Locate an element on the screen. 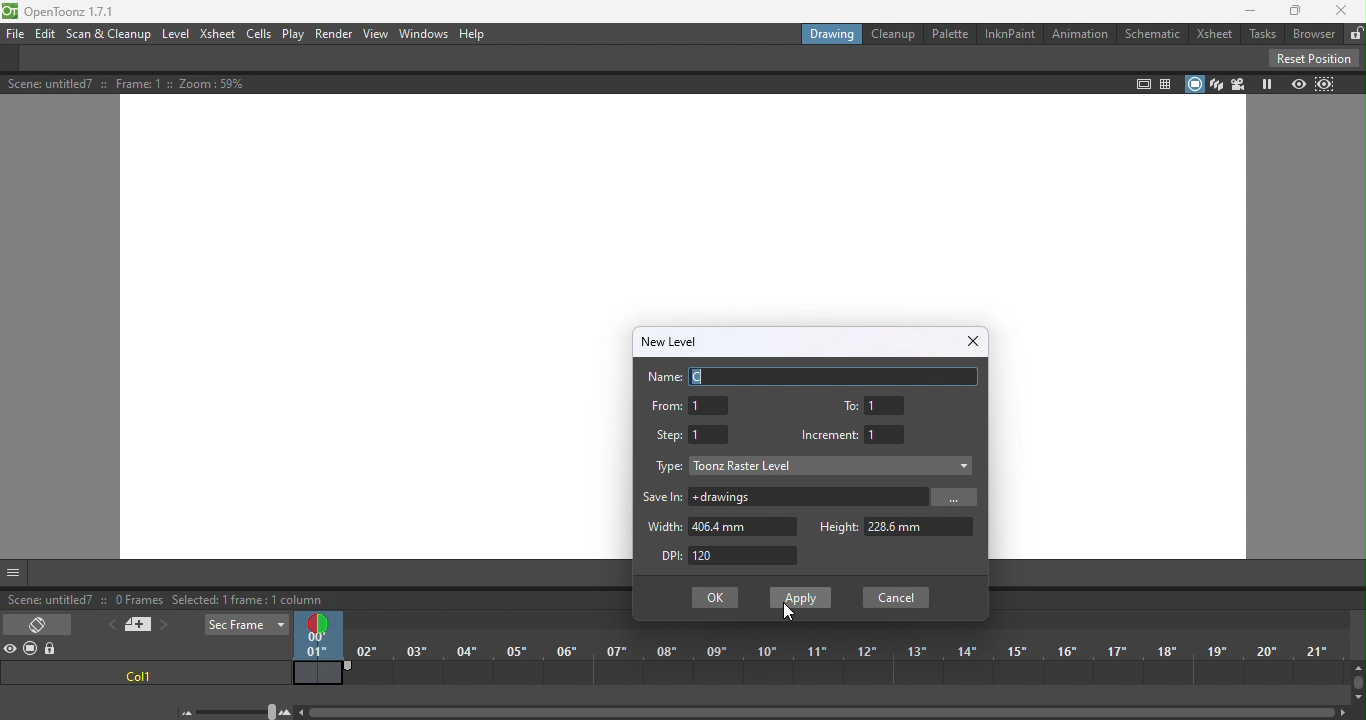 The height and width of the screenshot is (720, 1366). Preview is located at coordinates (1299, 85).